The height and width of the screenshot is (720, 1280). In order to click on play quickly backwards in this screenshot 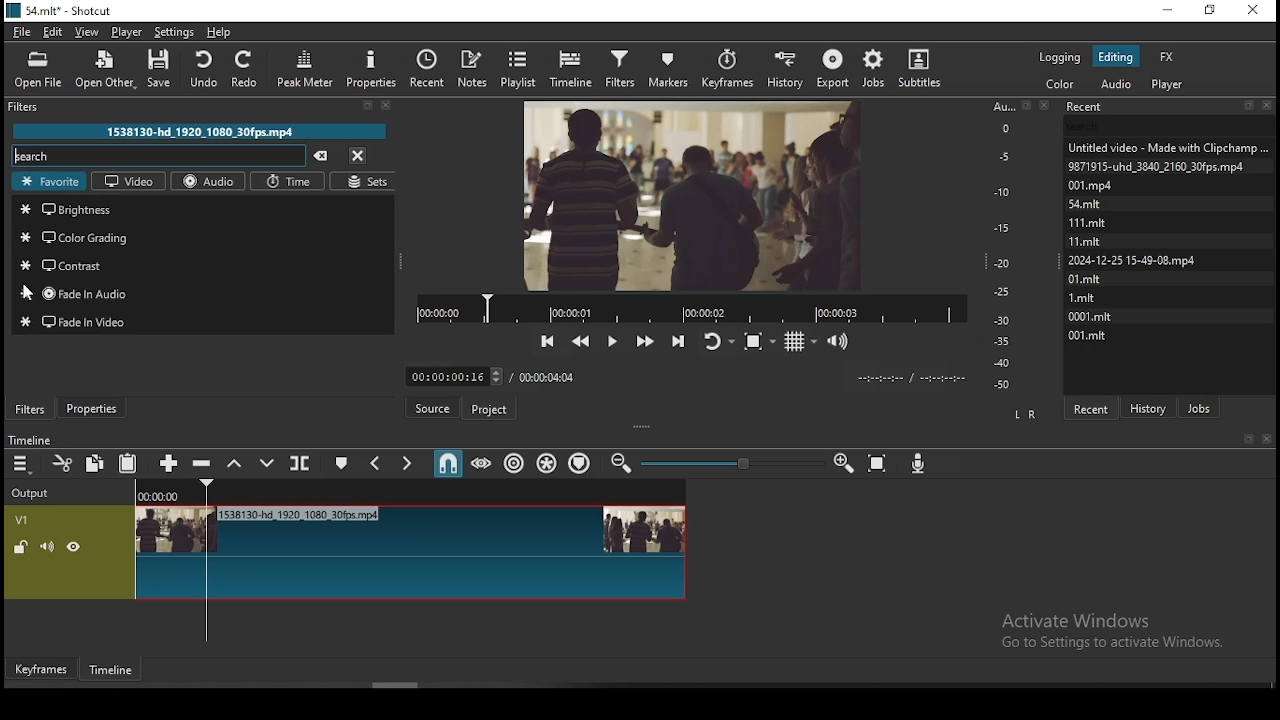, I will do `click(581, 341)`.